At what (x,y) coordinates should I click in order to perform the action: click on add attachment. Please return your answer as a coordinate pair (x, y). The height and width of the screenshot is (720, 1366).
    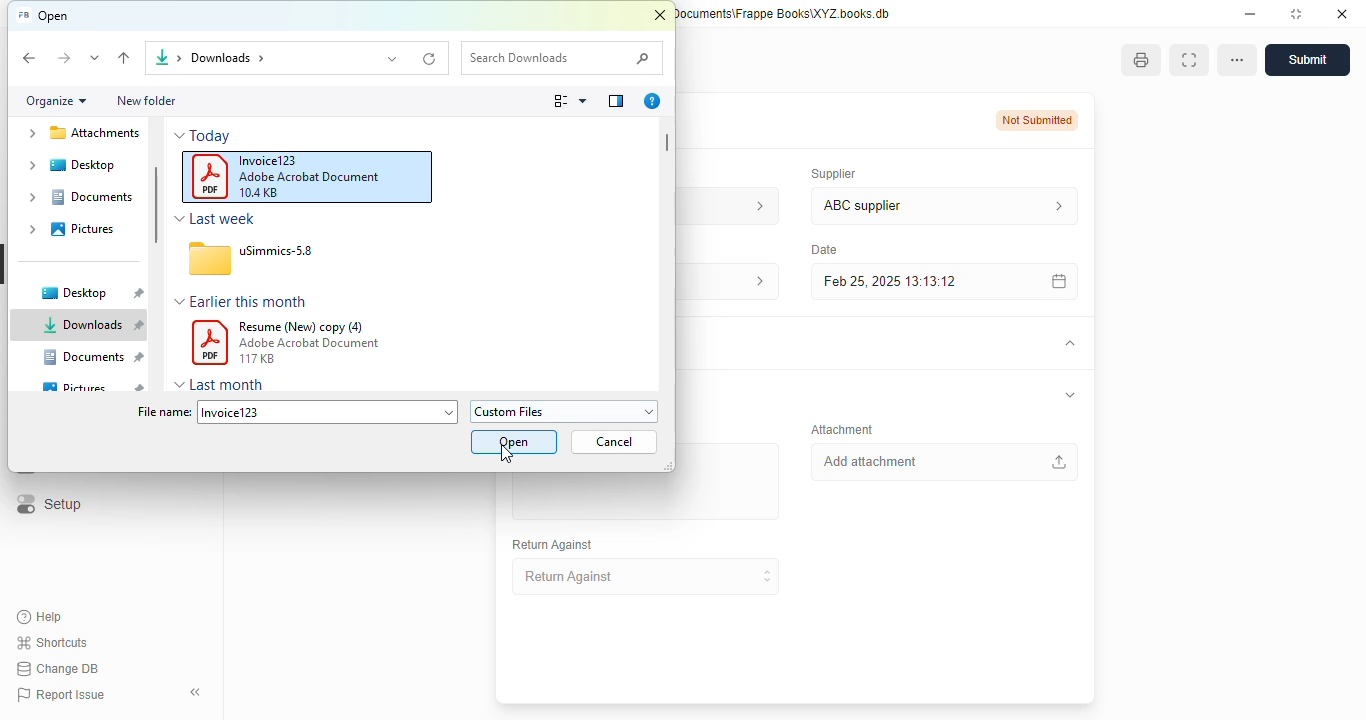
    Looking at the image, I should click on (943, 462).